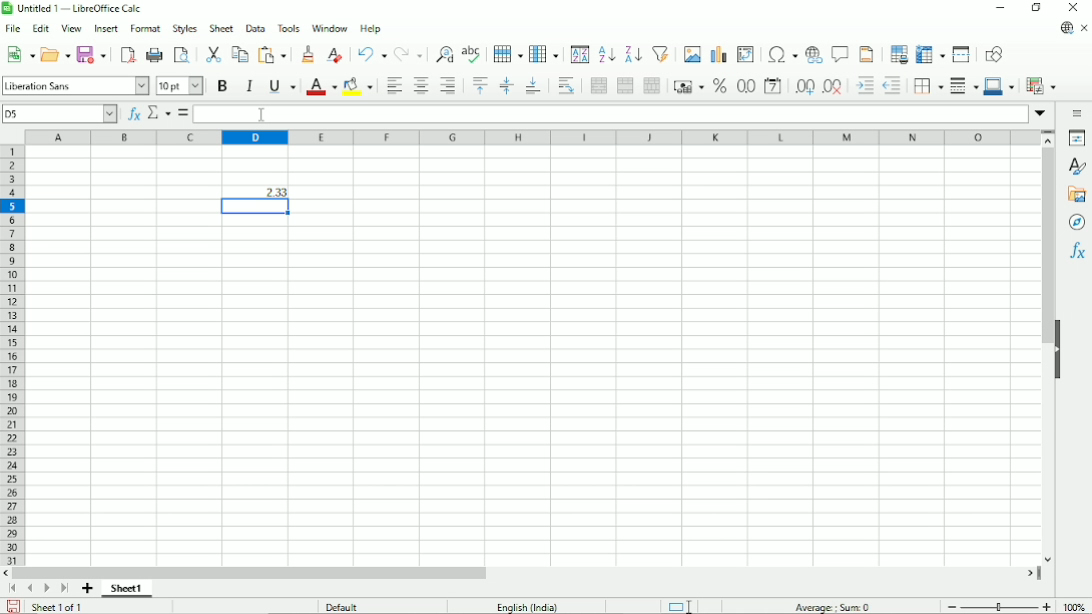 The image size is (1092, 614). I want to click on Open, so click(56, 53).